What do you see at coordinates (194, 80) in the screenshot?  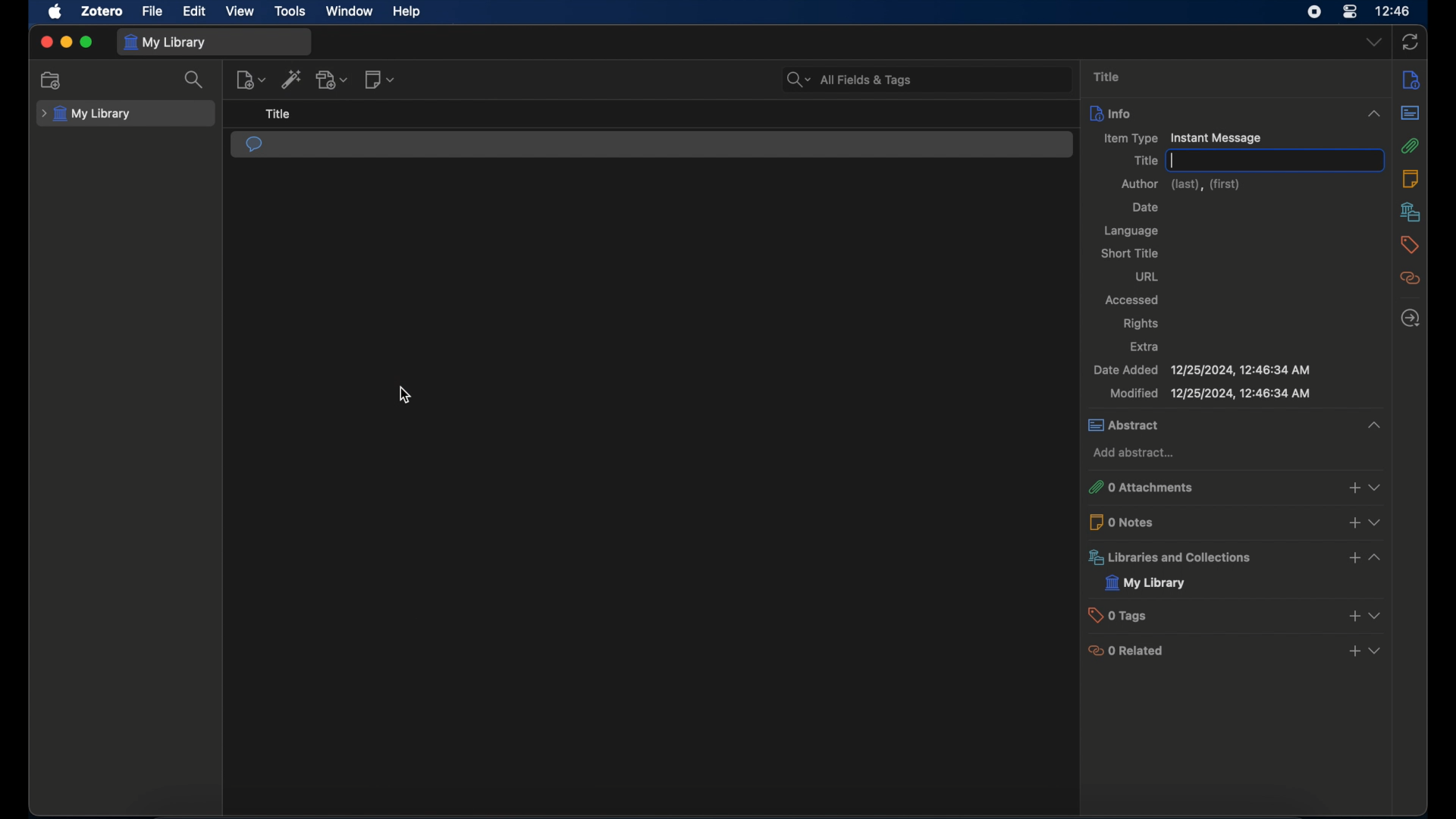 I see `search` at bounding box center [194, 80].